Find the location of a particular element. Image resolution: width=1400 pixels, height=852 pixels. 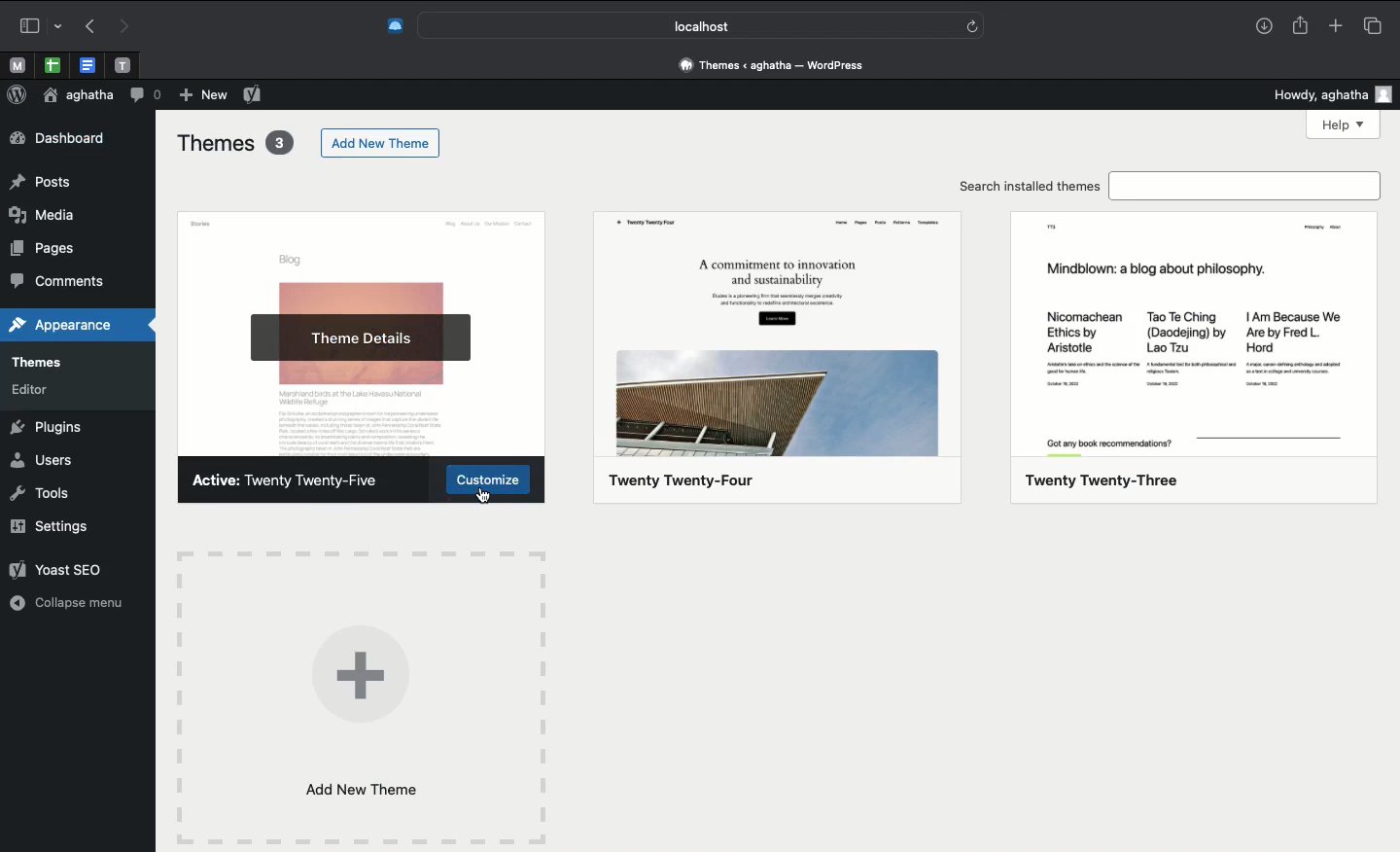

Add new theme is located at coordinates (362, 698).